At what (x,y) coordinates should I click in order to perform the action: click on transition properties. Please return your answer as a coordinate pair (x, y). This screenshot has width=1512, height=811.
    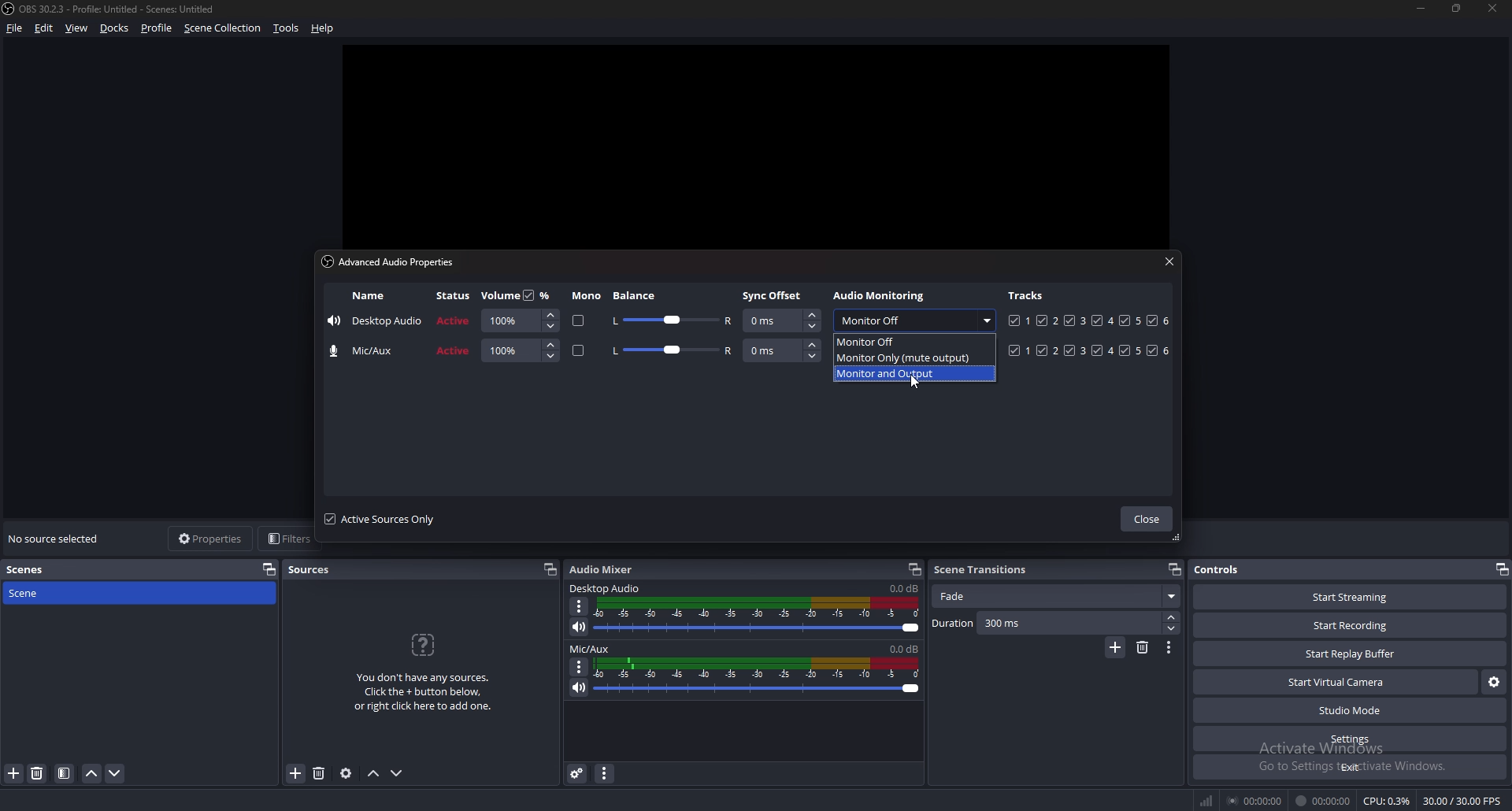
    Looking at the image, I should click on (1169, 649).